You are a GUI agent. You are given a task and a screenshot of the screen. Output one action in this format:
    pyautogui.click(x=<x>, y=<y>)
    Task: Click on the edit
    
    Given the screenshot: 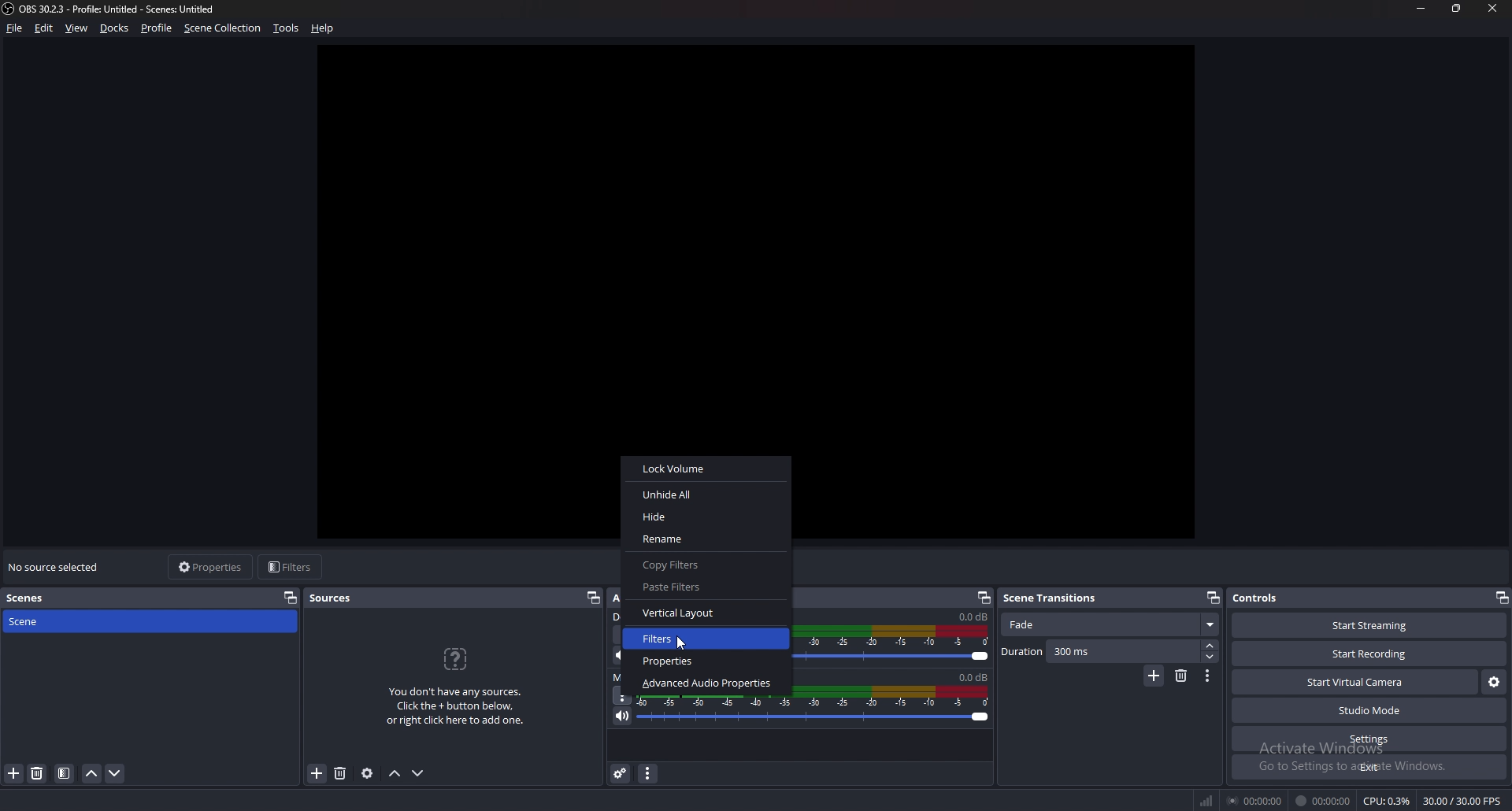 What is the action you would take?
    pyautogui.click(x=44, y=28)
    